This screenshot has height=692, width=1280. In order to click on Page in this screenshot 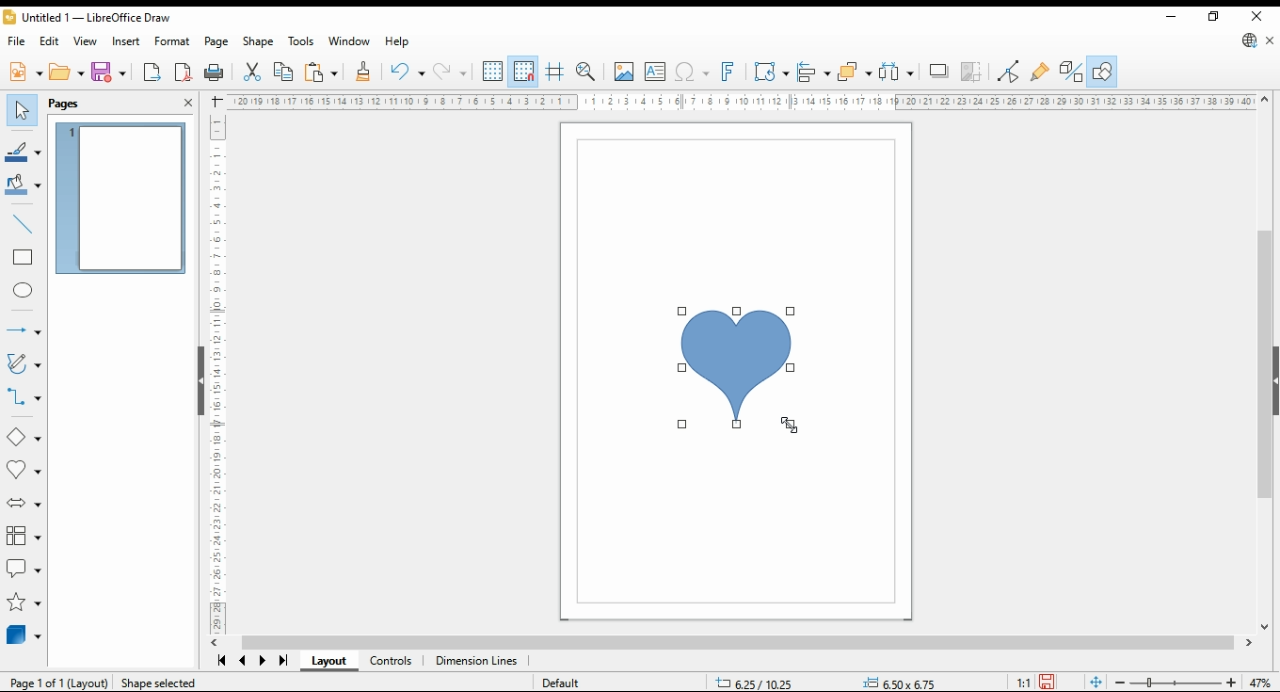, I will do `click(60, 682)`.